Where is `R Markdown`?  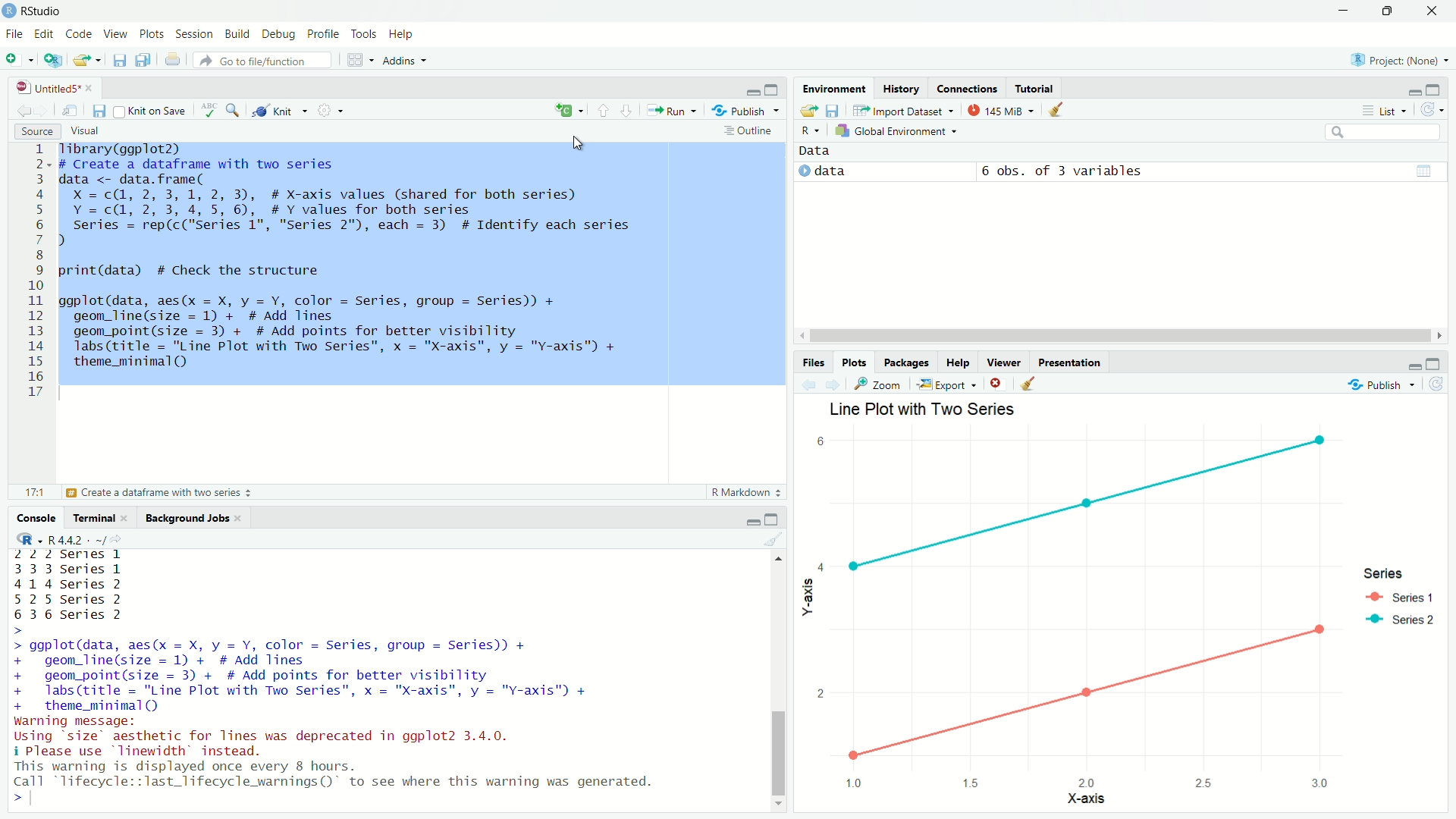
R Markdown is located at coordinates (746, 493).